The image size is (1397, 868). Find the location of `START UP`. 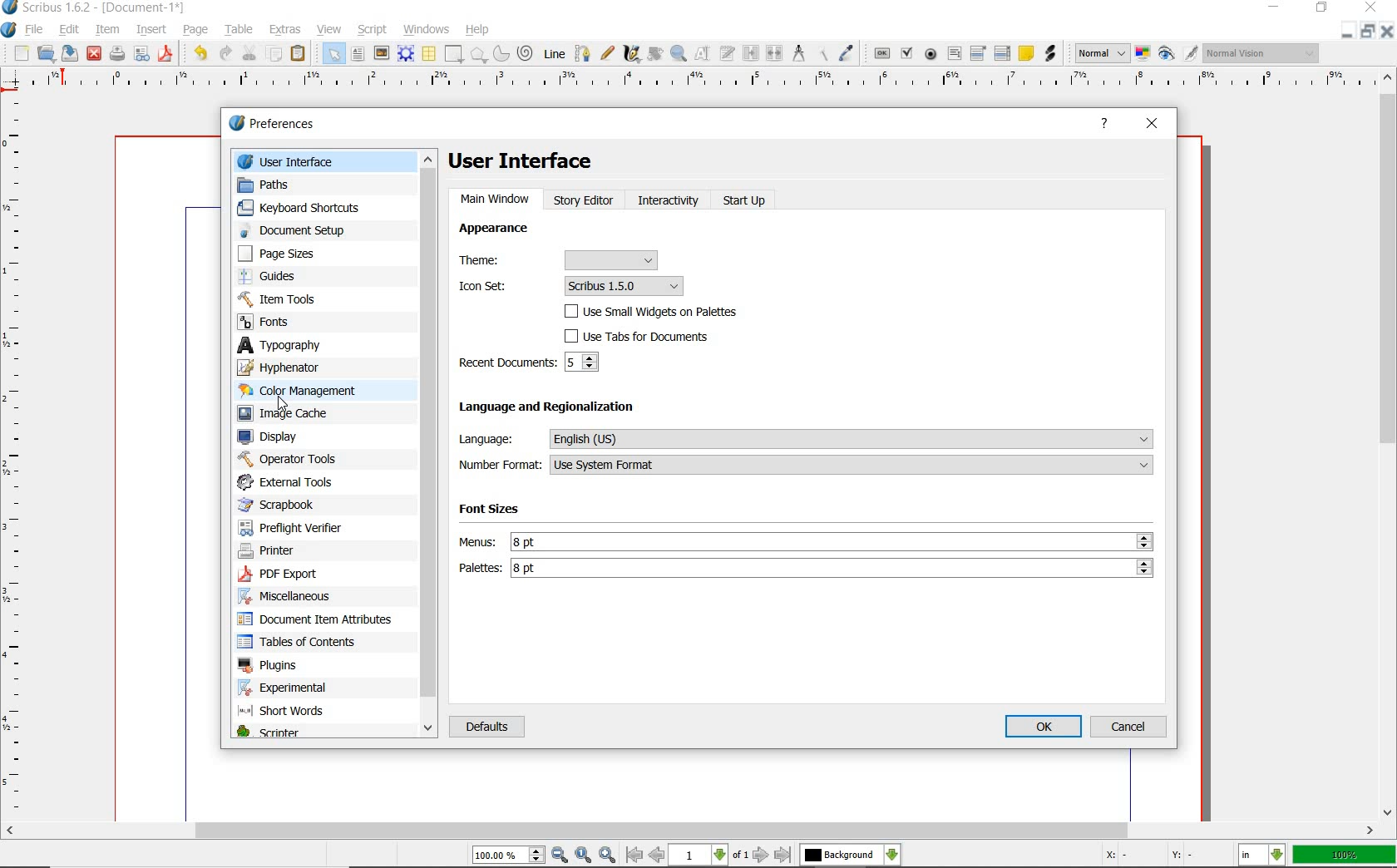

START UP is located at coordinates (743, 201).